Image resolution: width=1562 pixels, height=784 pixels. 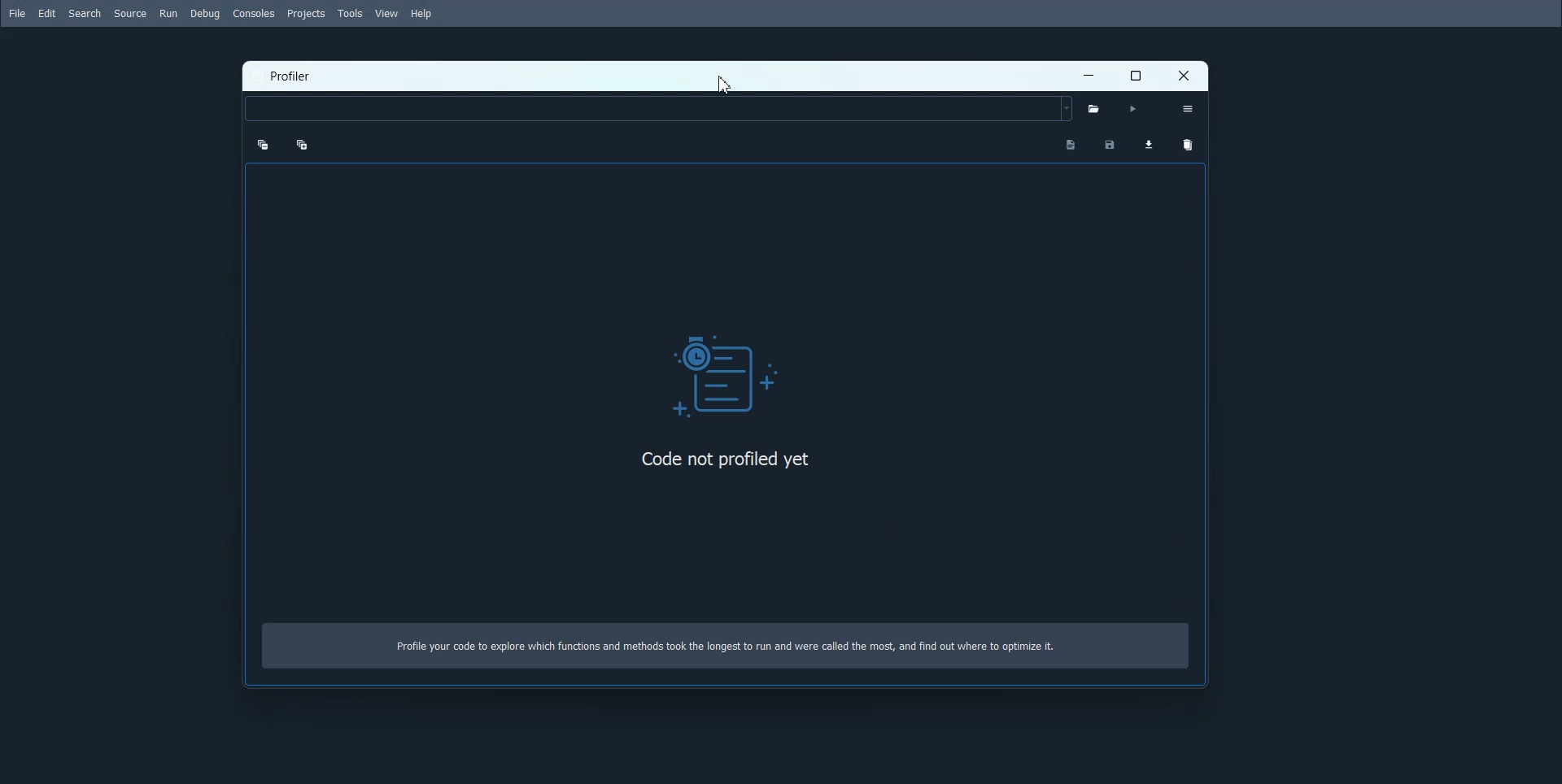 I want to click on Help, so click(x=422, y=14).